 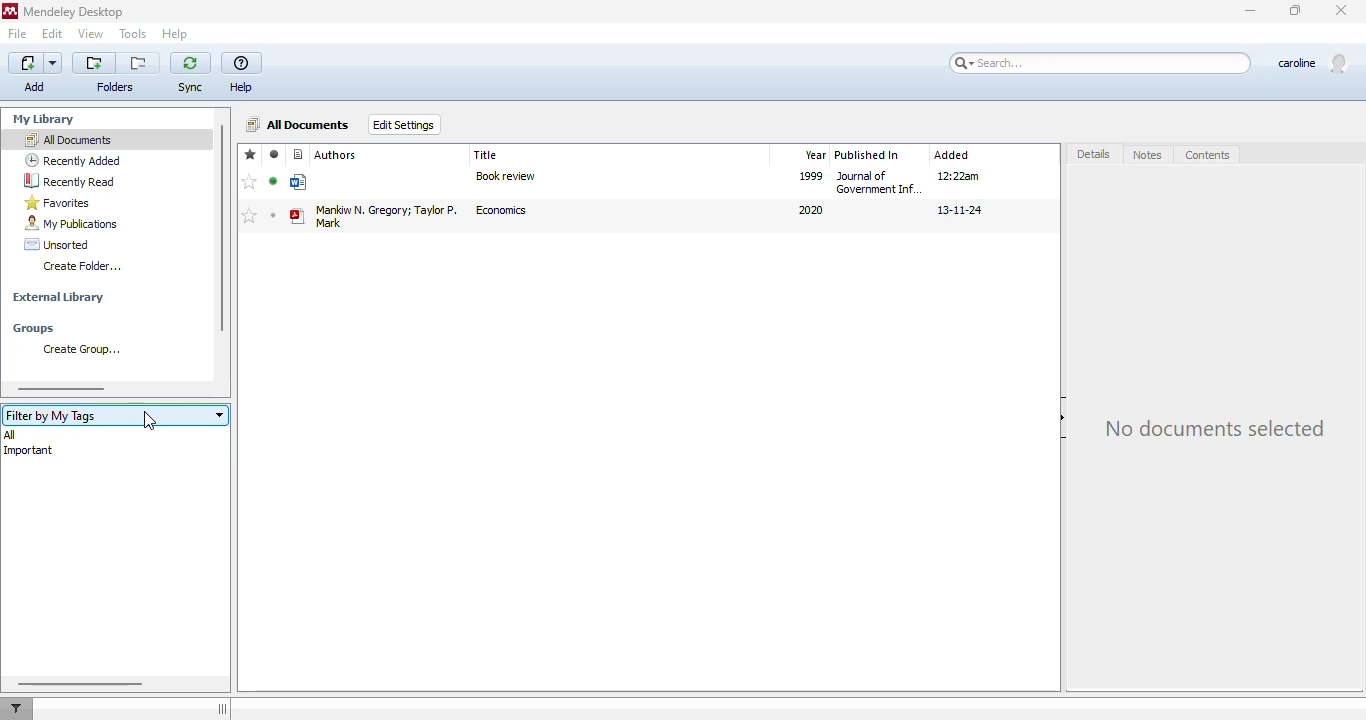 I want to click on help, so click(x=176, y=34).